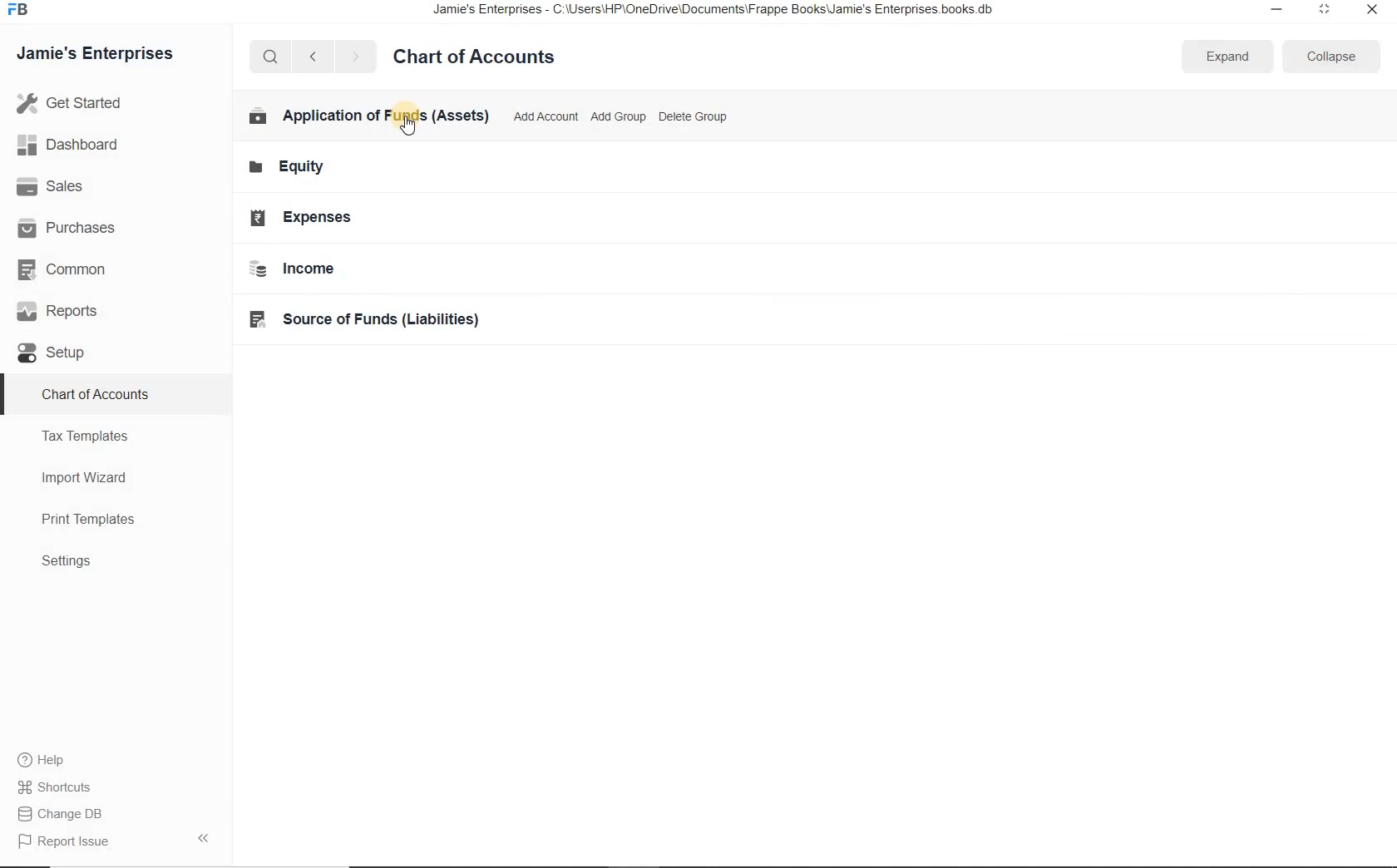  I want to click on Income, so click(306, 269).